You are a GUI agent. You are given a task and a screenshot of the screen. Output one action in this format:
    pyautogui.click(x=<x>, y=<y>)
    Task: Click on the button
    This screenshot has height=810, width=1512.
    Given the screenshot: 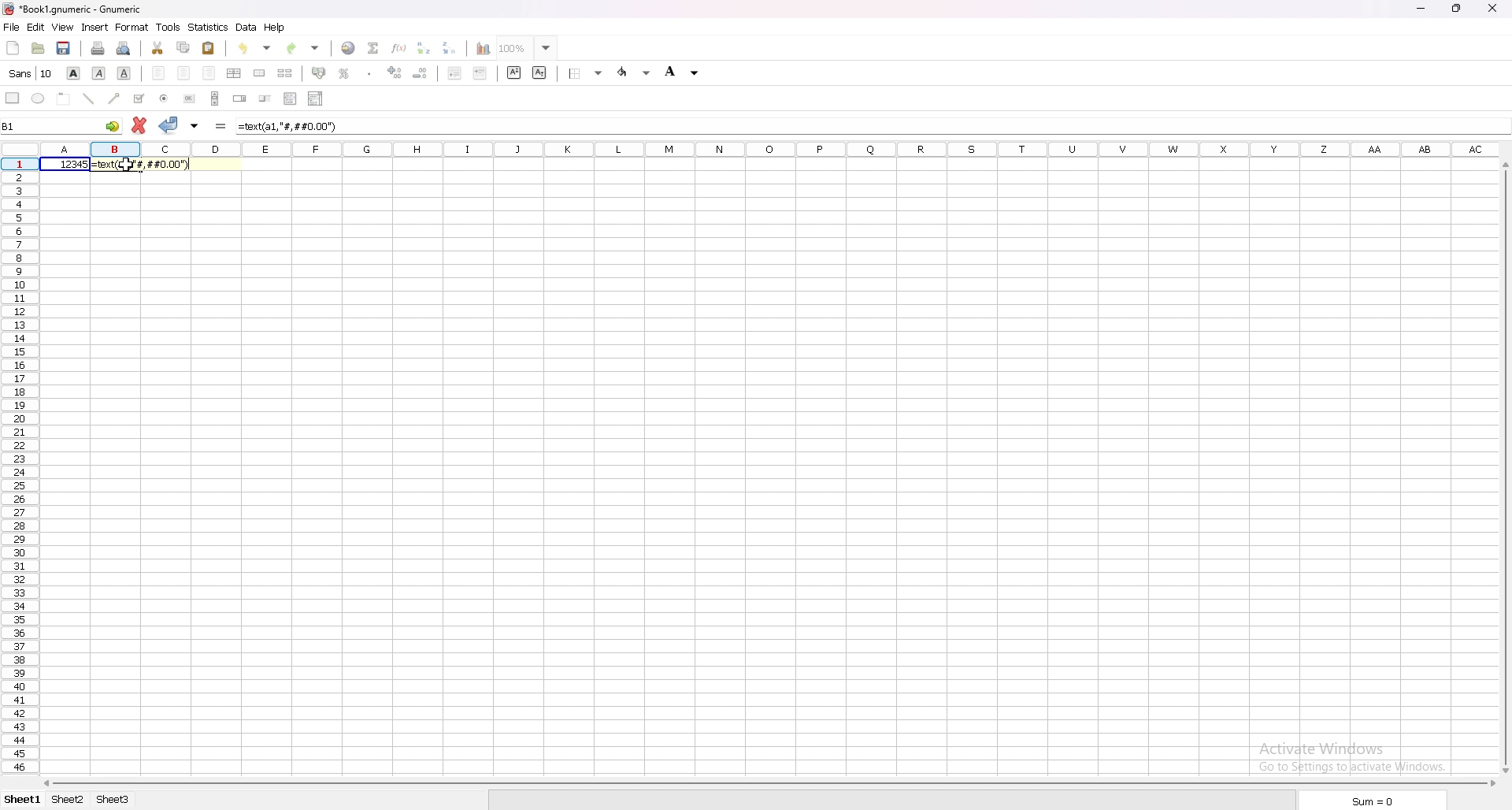 What is the action you would take?
    pyautogui.click(x=189, y=98)
    